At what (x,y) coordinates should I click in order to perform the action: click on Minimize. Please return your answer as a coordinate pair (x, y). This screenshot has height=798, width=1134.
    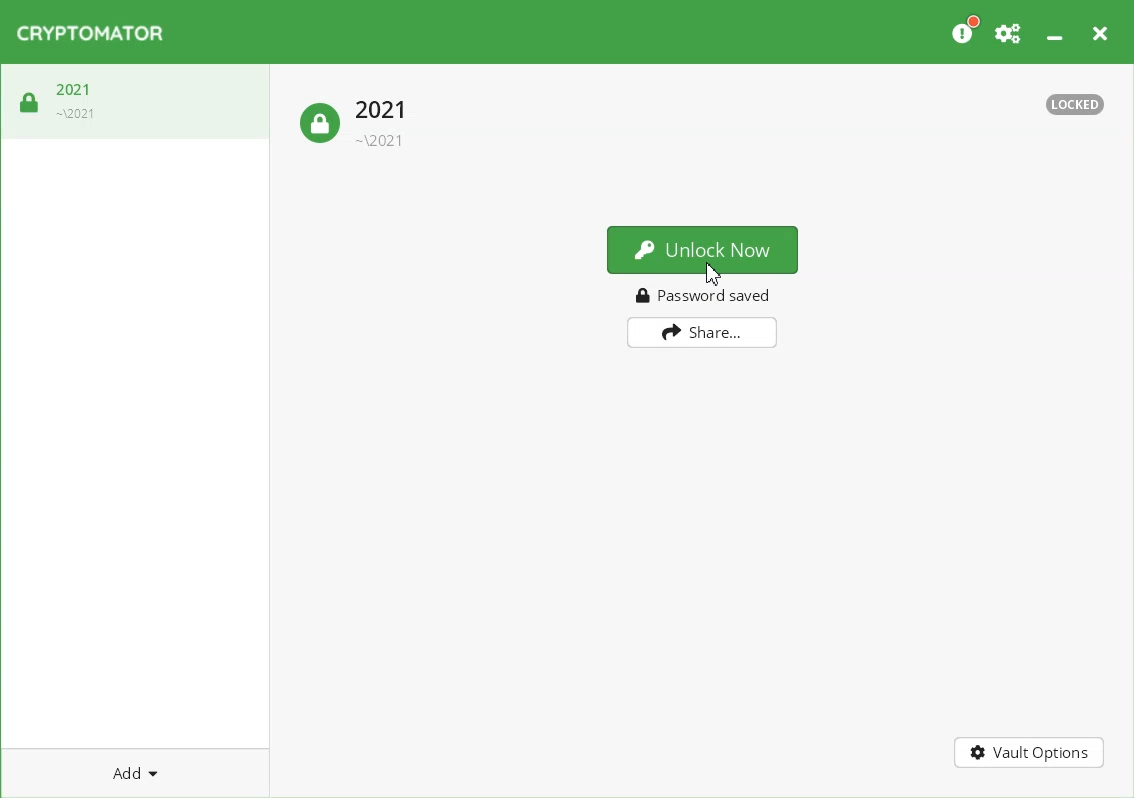
    Looking at the image, I should click on (1053, 33).